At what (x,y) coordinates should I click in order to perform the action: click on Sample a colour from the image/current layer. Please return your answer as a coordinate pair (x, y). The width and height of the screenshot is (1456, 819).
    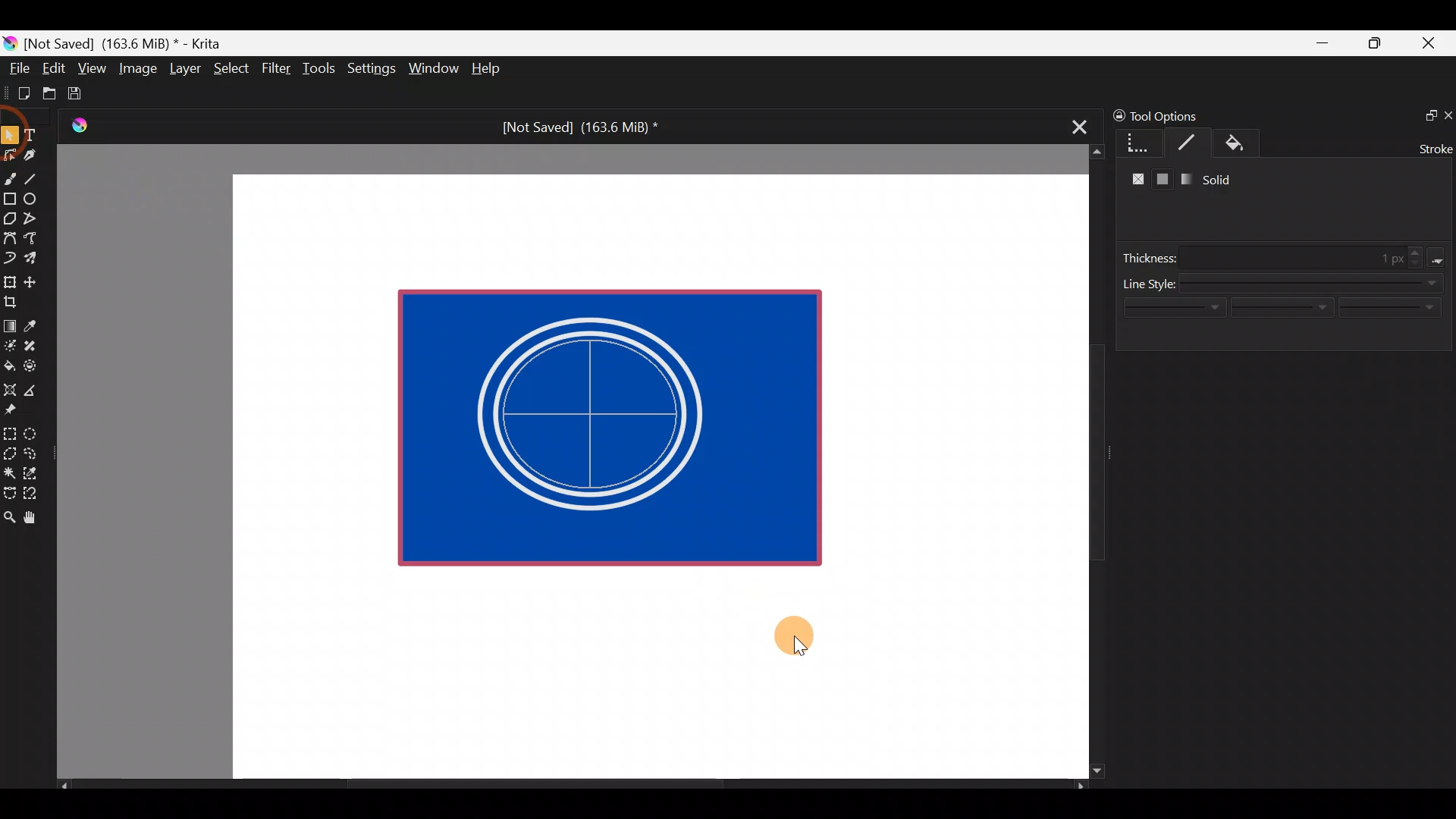
    Looking at the image, I should click on (36, 324).